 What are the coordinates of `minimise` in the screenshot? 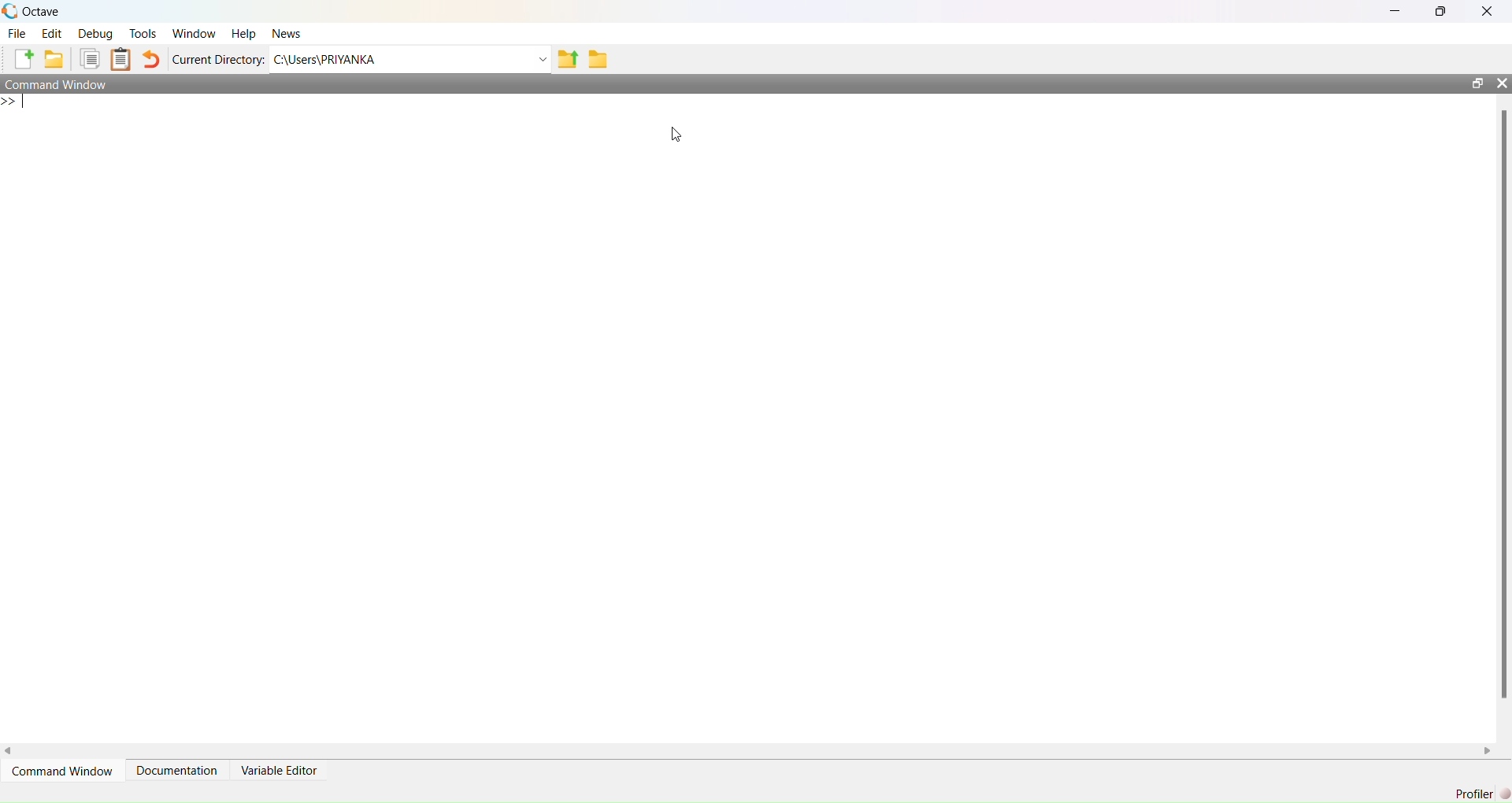 It's located at (1396, 11).